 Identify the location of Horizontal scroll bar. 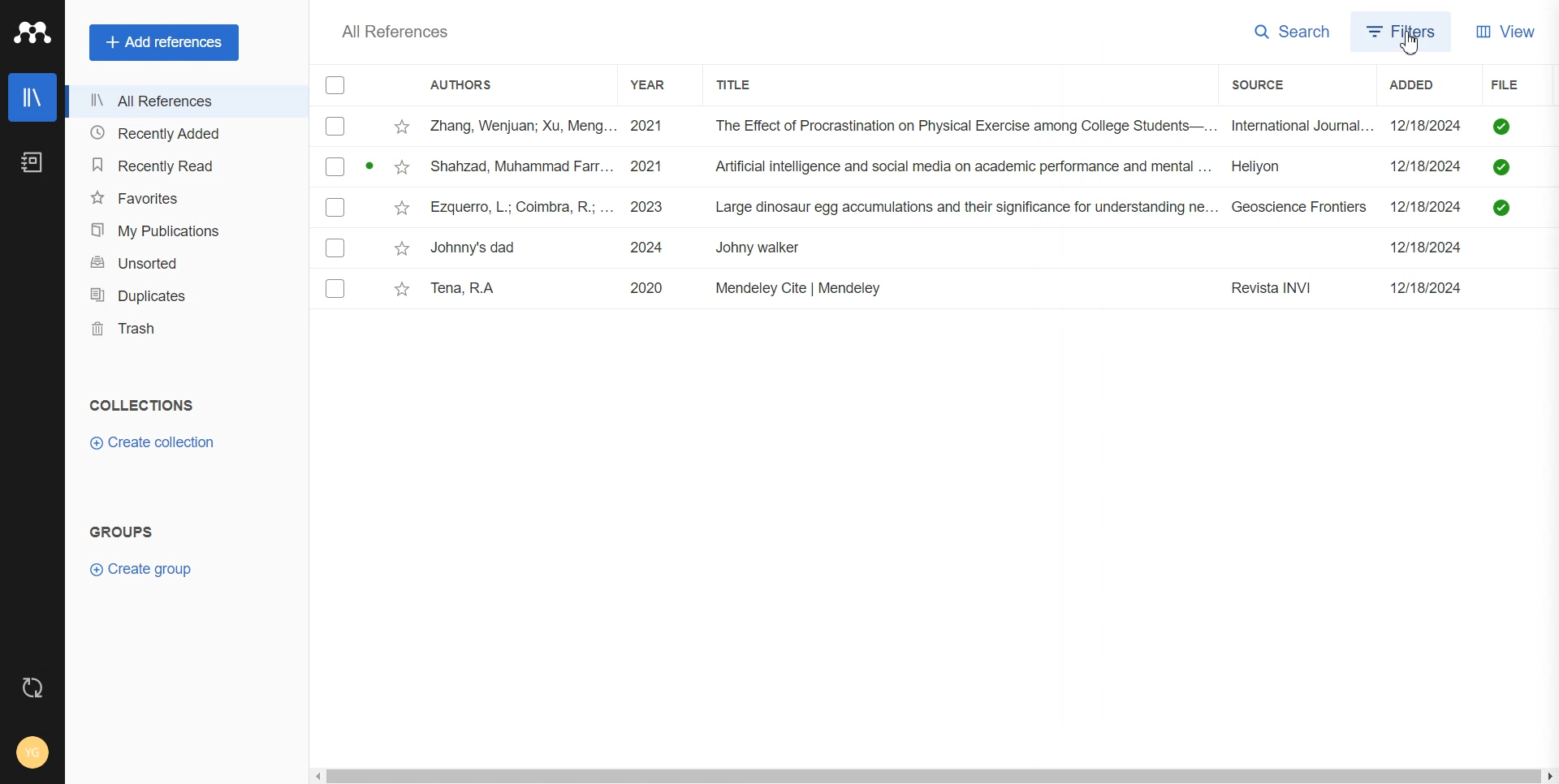
(920, 773).